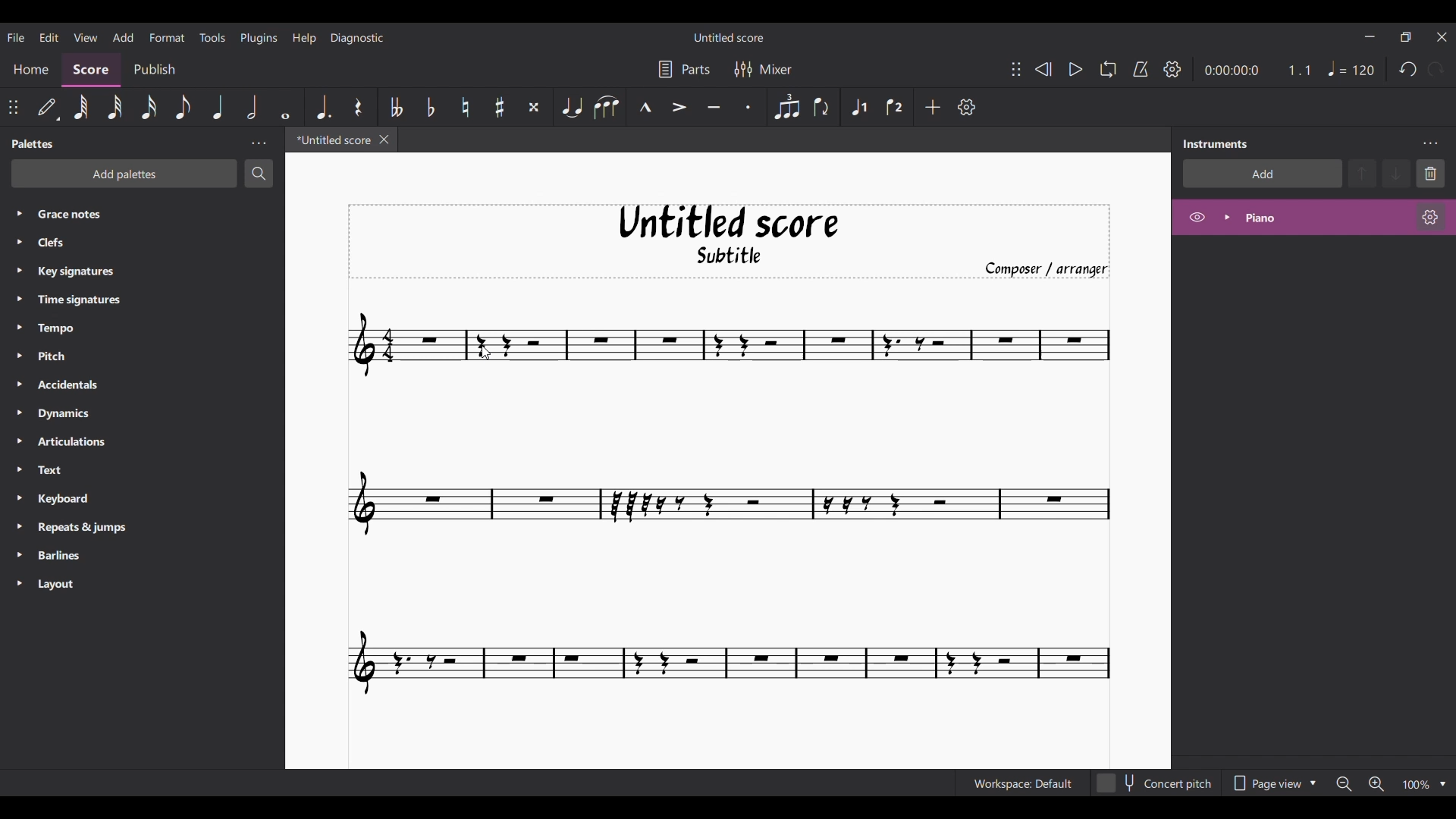 The image size is (1456, 819). I want to click on Current tab, so click(331, 140).